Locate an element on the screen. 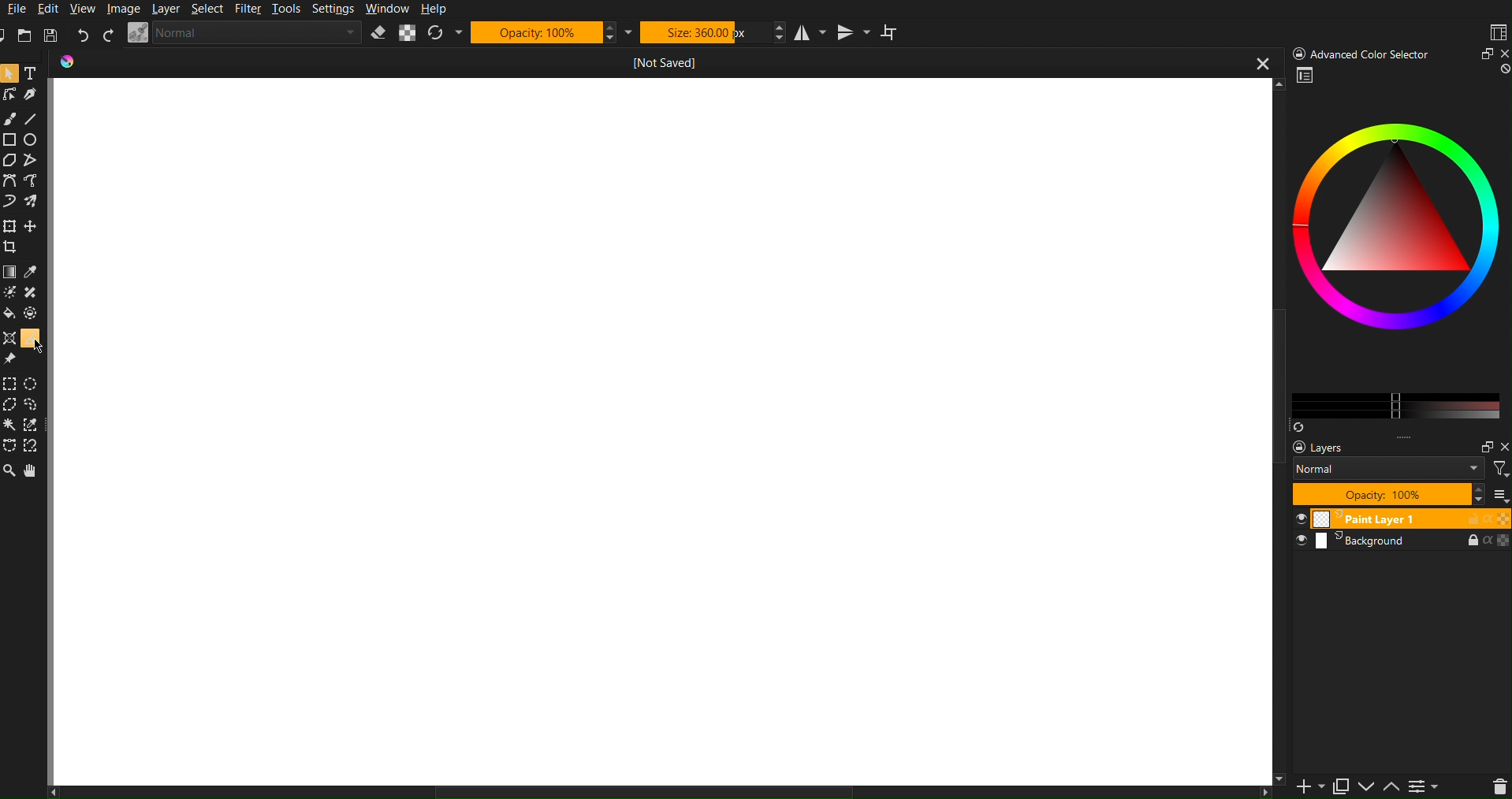 Image resolution: width=1512 pixels, height=799 pixels. Tools is located at coordinates (289, 10).